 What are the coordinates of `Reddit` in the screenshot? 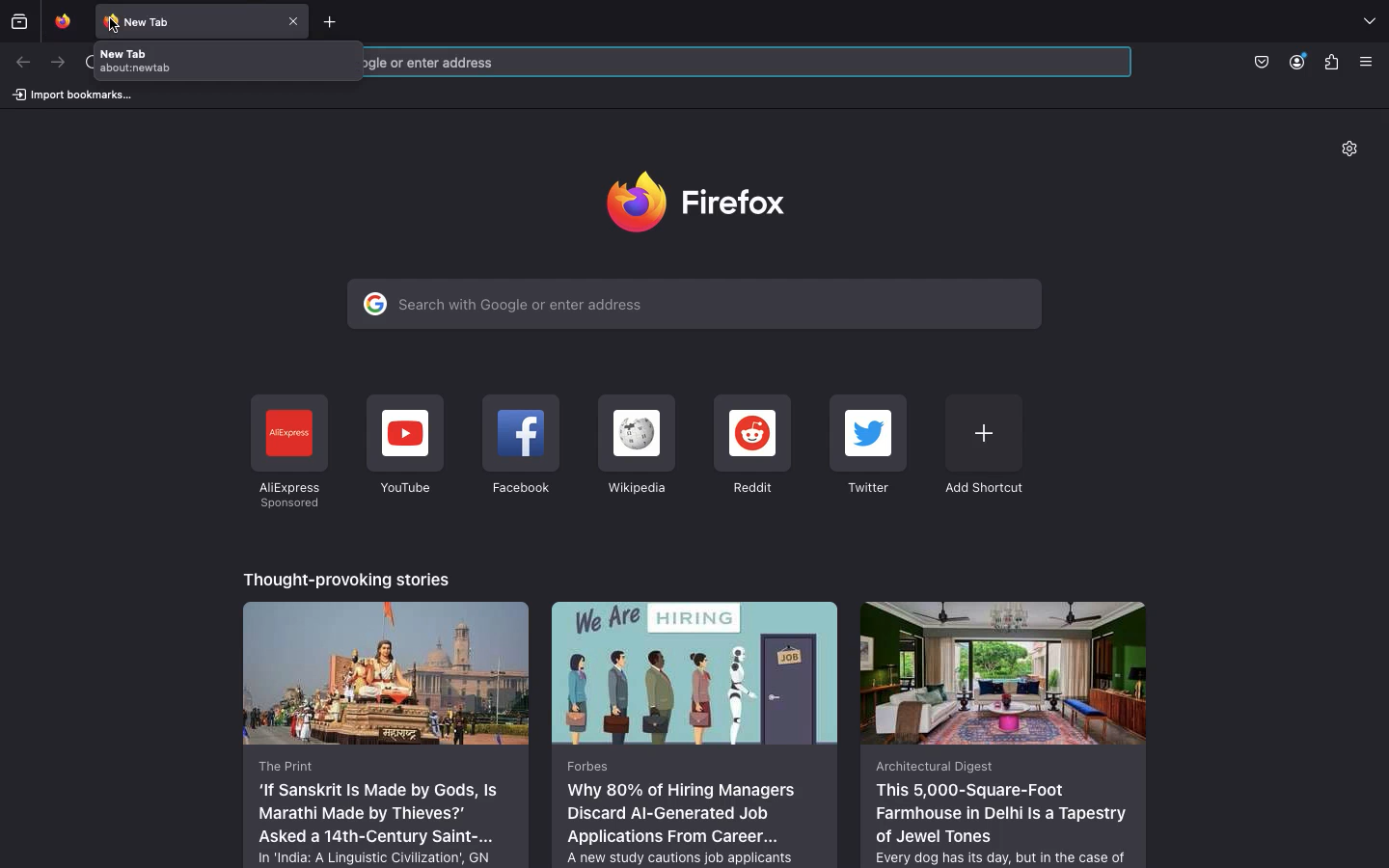 It's located at (752, 447).